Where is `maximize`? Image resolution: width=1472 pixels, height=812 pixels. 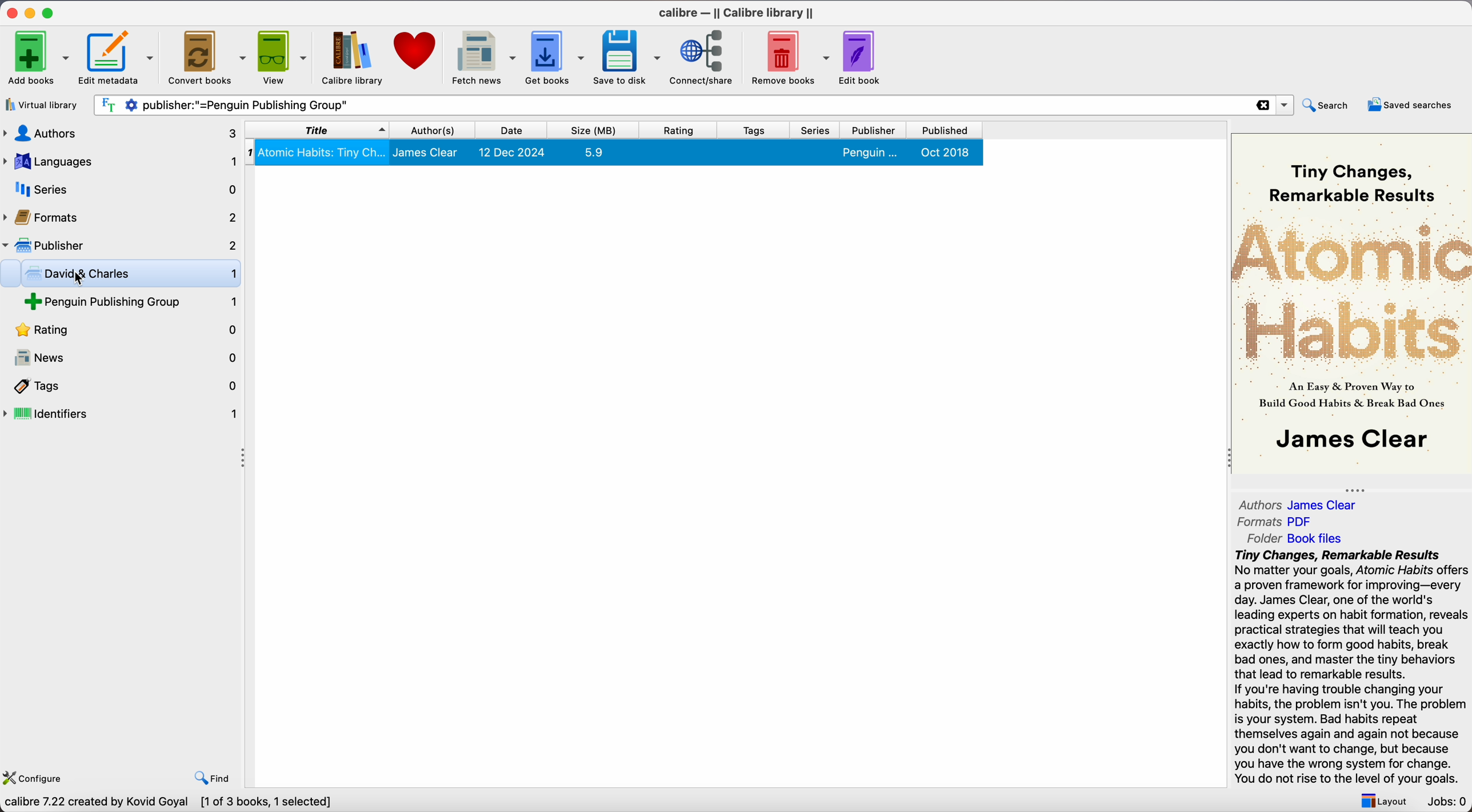
maximize is located at coordinates (50, 12).